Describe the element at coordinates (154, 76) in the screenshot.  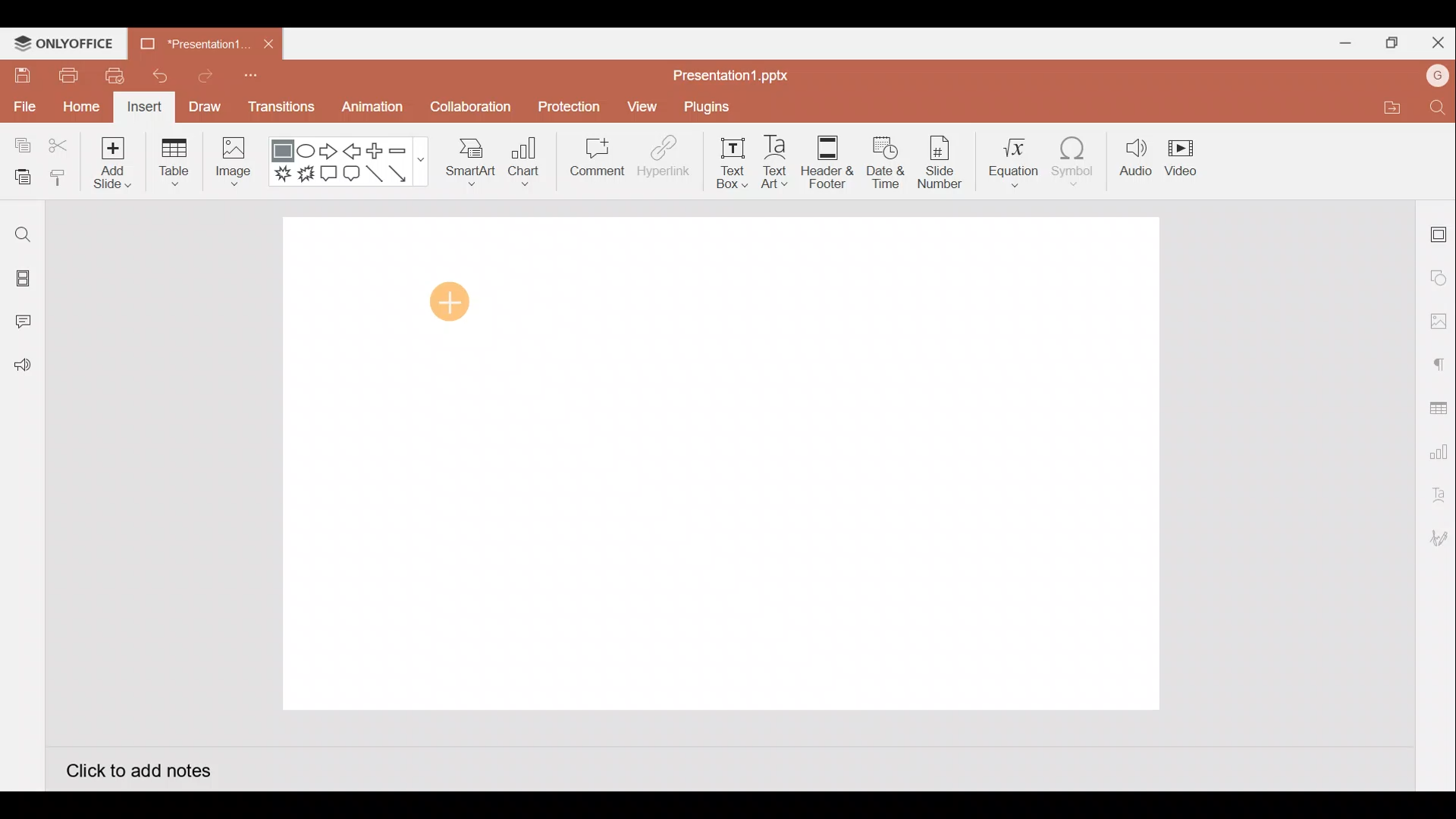
I see `Undo` at that location.